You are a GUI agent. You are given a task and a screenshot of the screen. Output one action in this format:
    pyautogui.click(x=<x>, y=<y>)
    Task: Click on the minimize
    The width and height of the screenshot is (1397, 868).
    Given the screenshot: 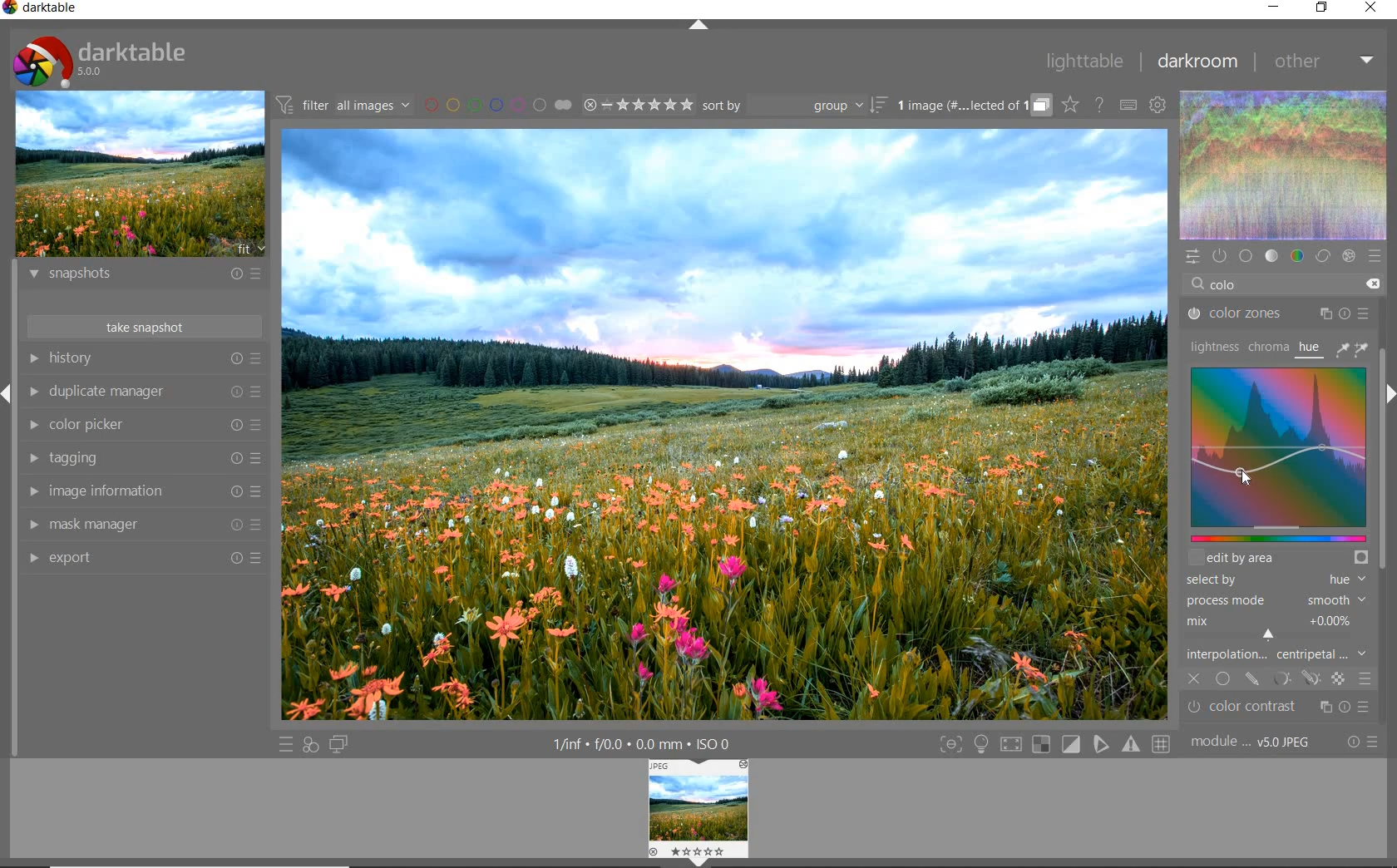 What is the action you would take?
    pyautogui.click(x=1276, y=8)
    